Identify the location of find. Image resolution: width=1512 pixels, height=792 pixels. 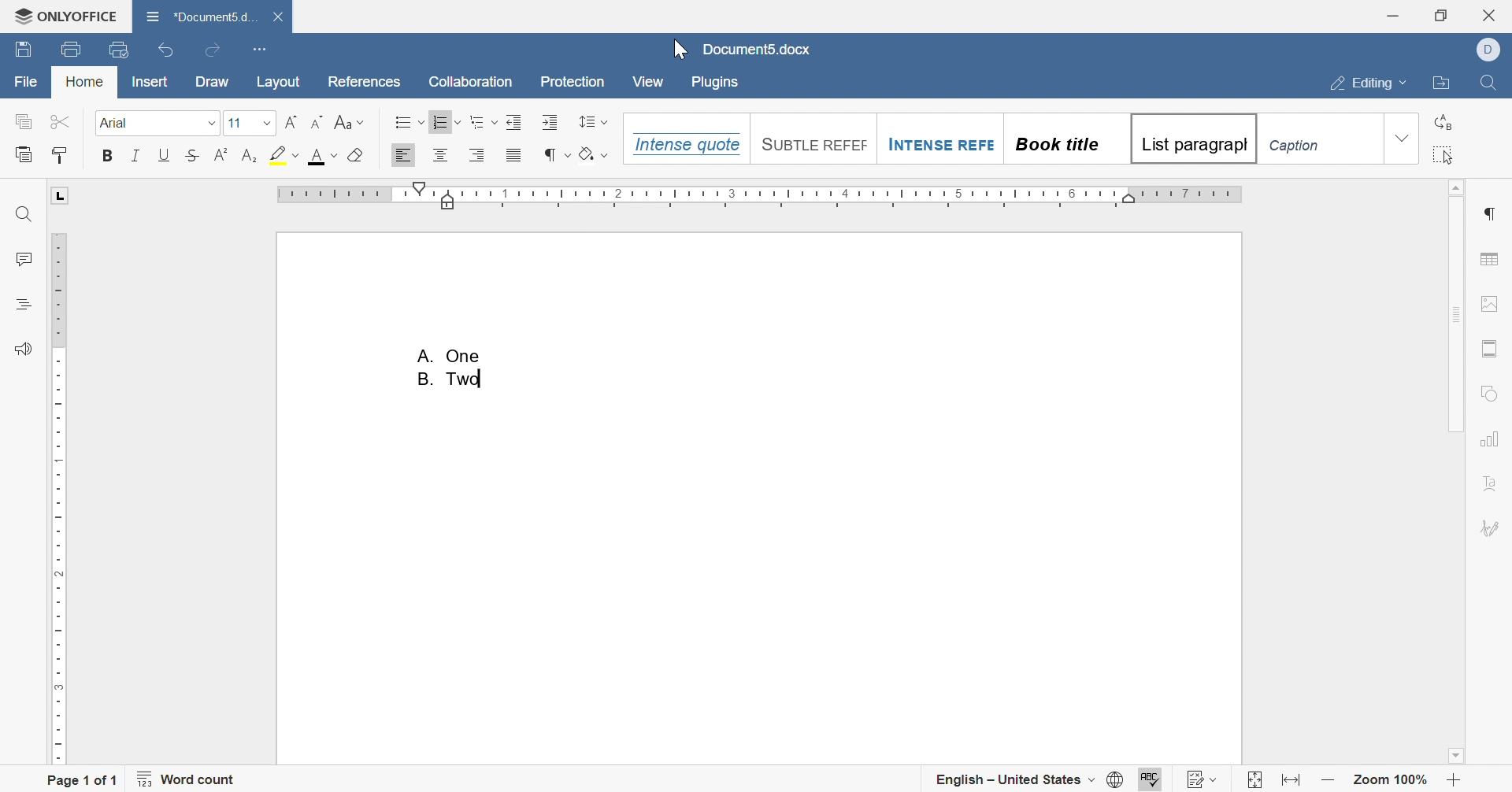
(1488, 83).